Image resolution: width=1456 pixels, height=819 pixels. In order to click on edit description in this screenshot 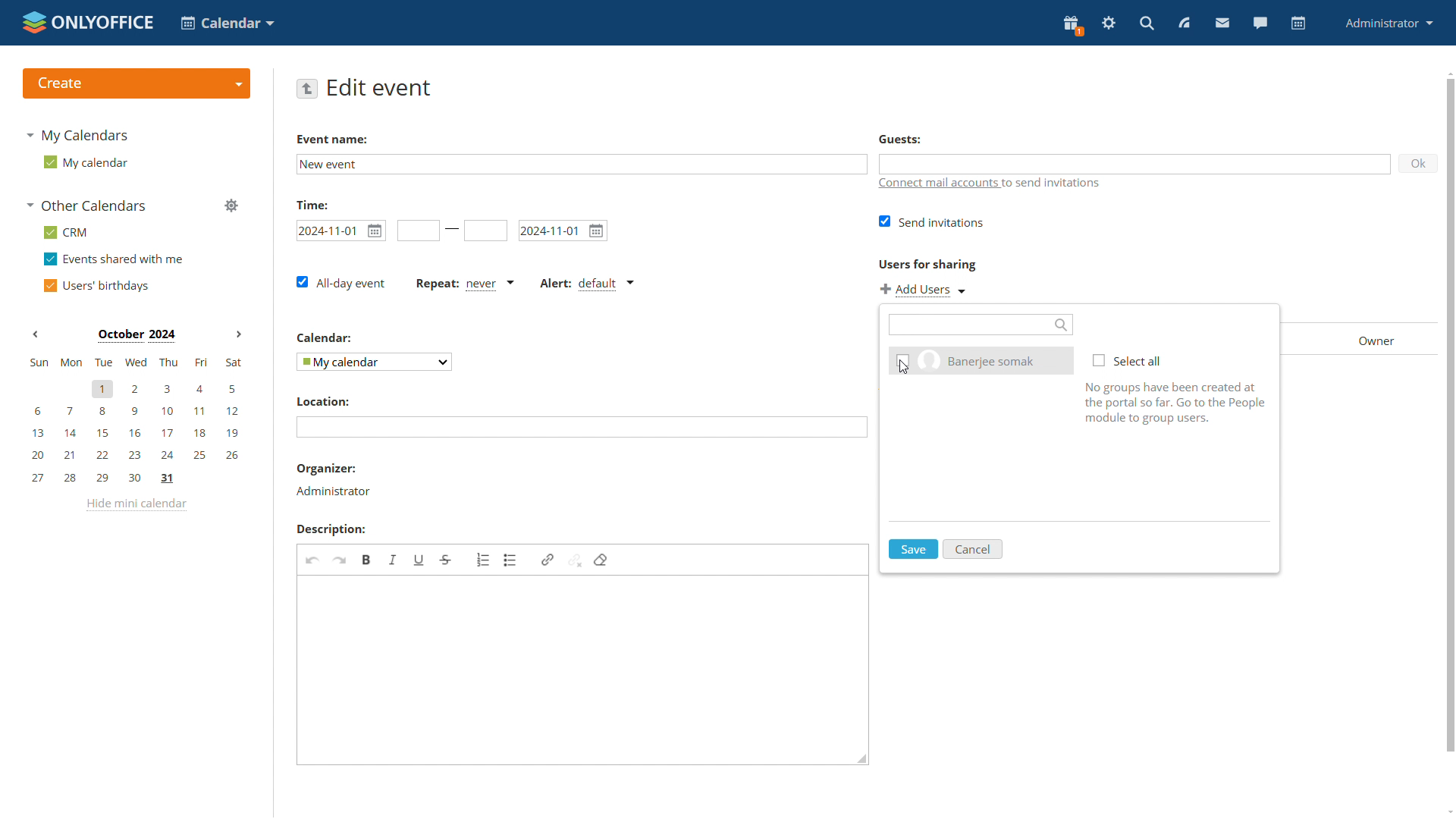, I will do `click(582, 670)`.